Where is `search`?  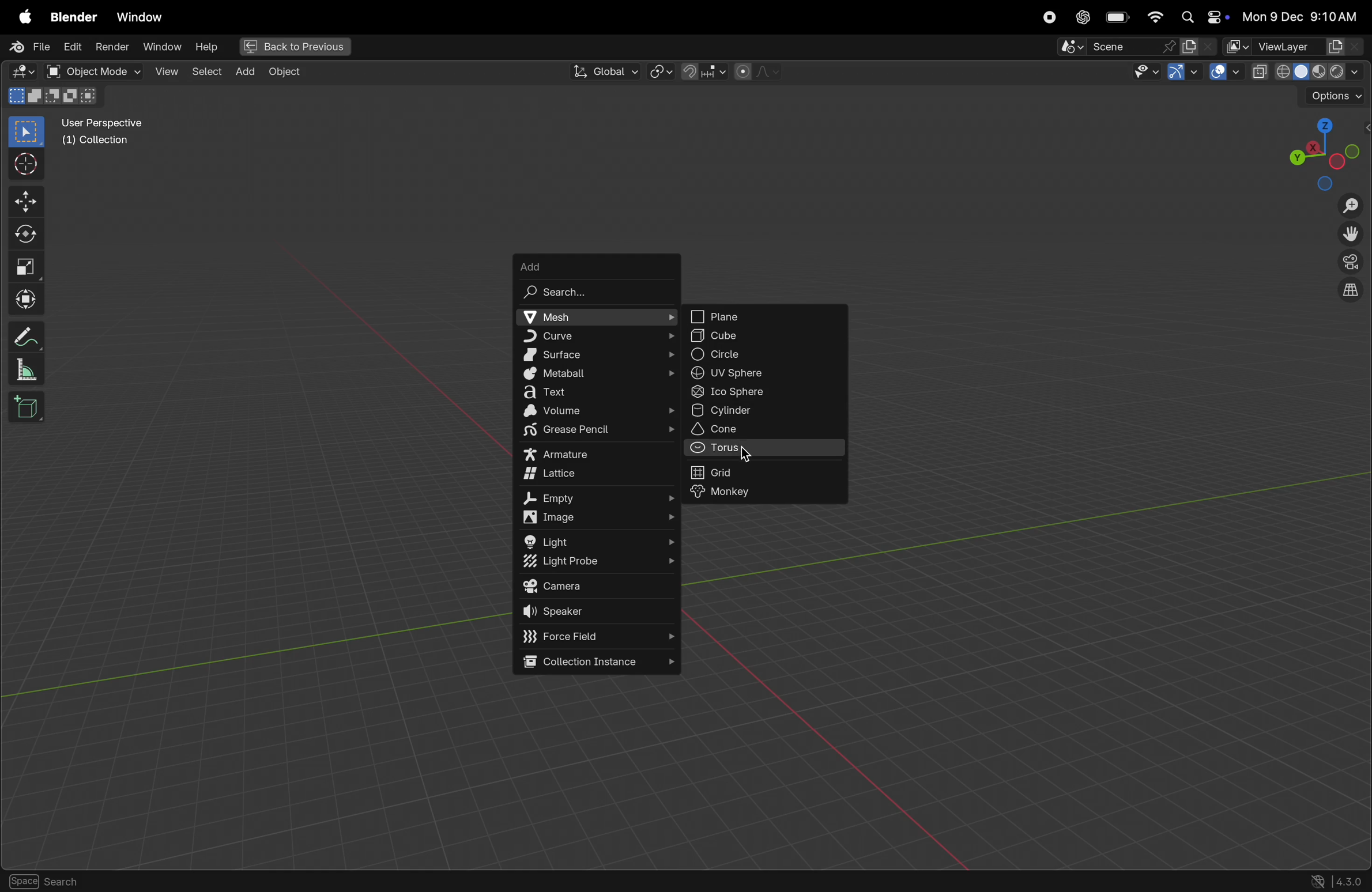
search is located at coordinates (596, 292).